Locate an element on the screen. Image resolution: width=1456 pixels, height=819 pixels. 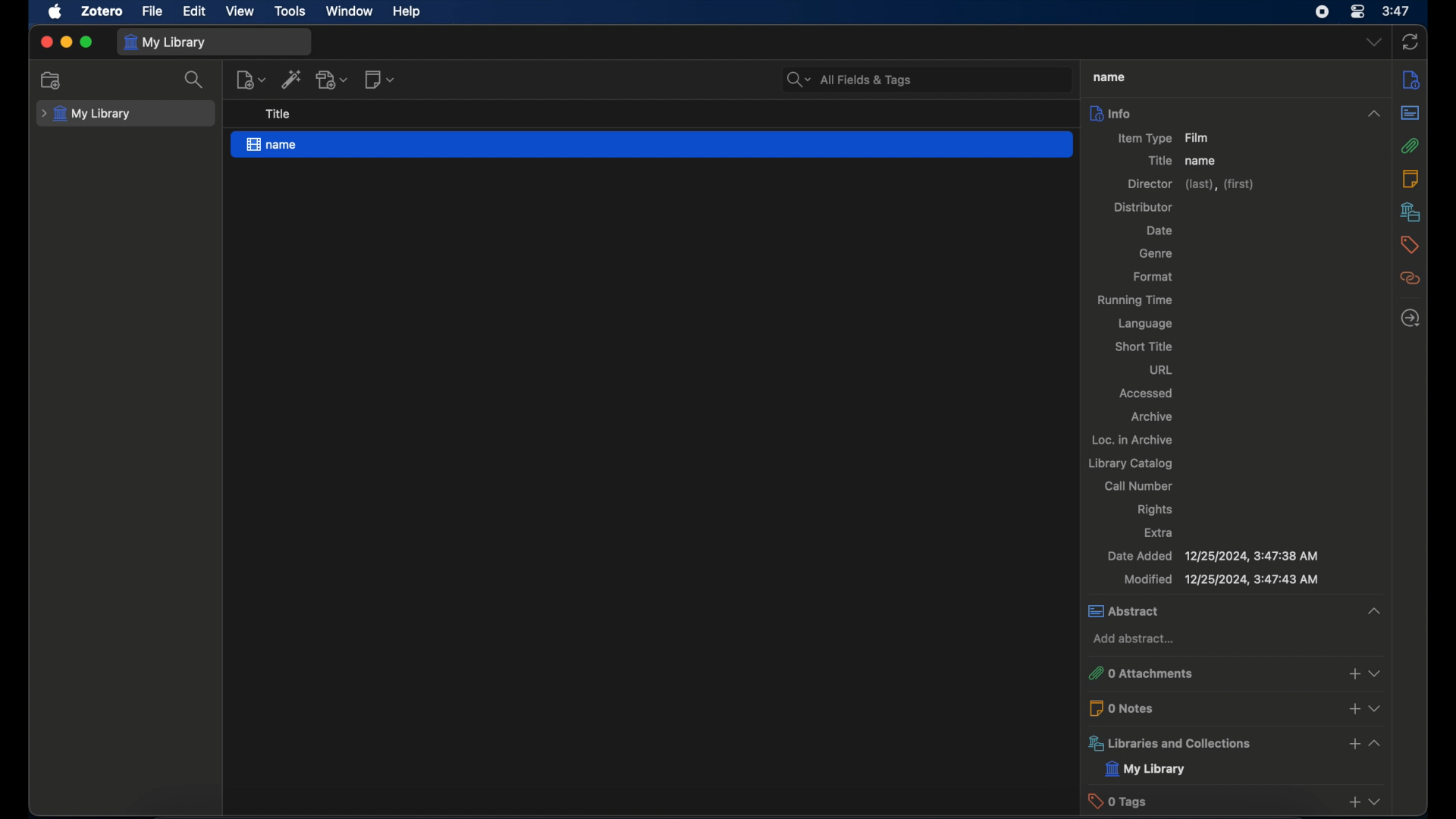
collapse is located at coordinates (1381, 742).